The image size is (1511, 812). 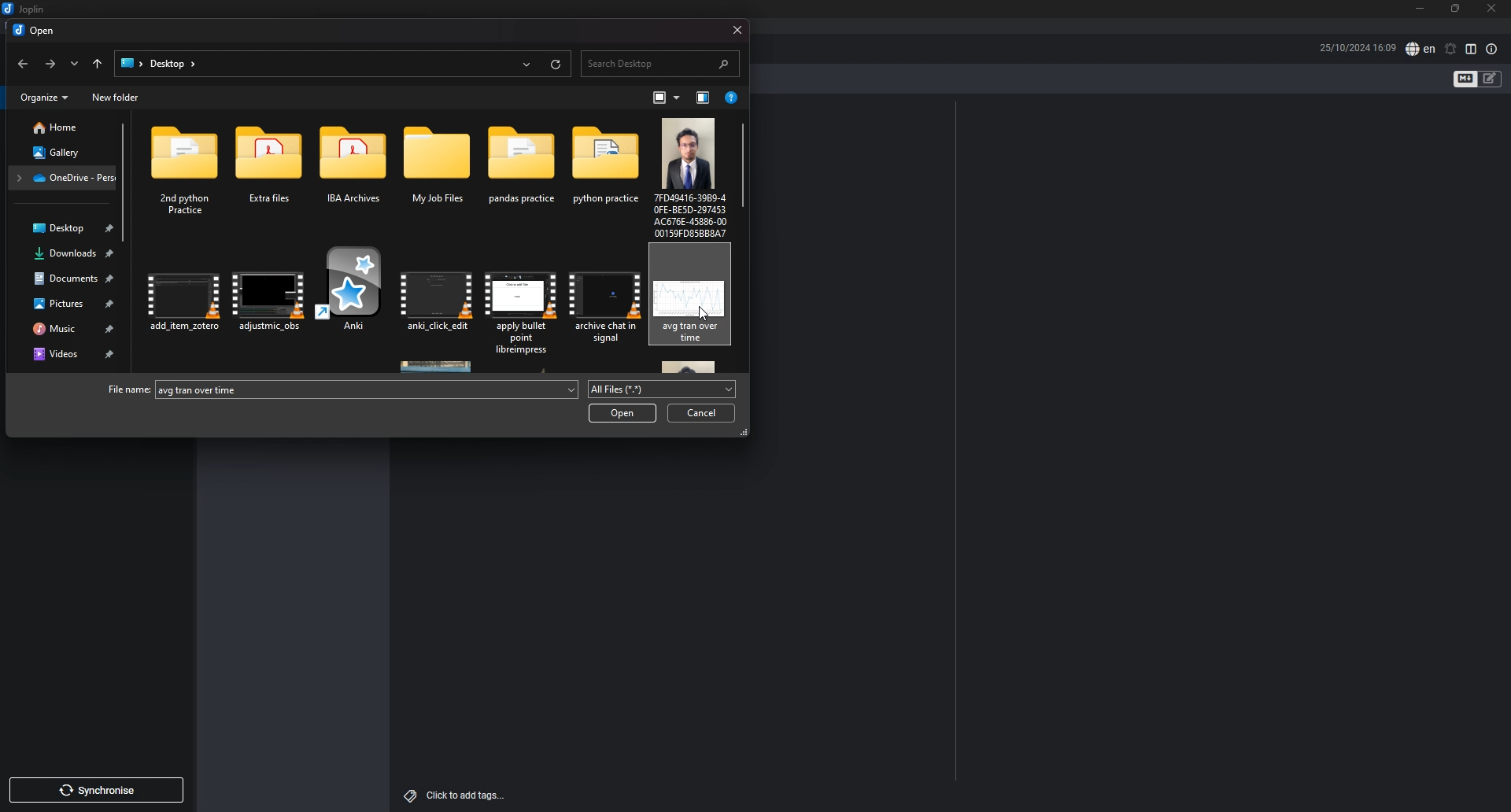 What do you see at coordinates (705, 316) in the screenshot?
I see `Cursor` at bounding box center [705, 316].